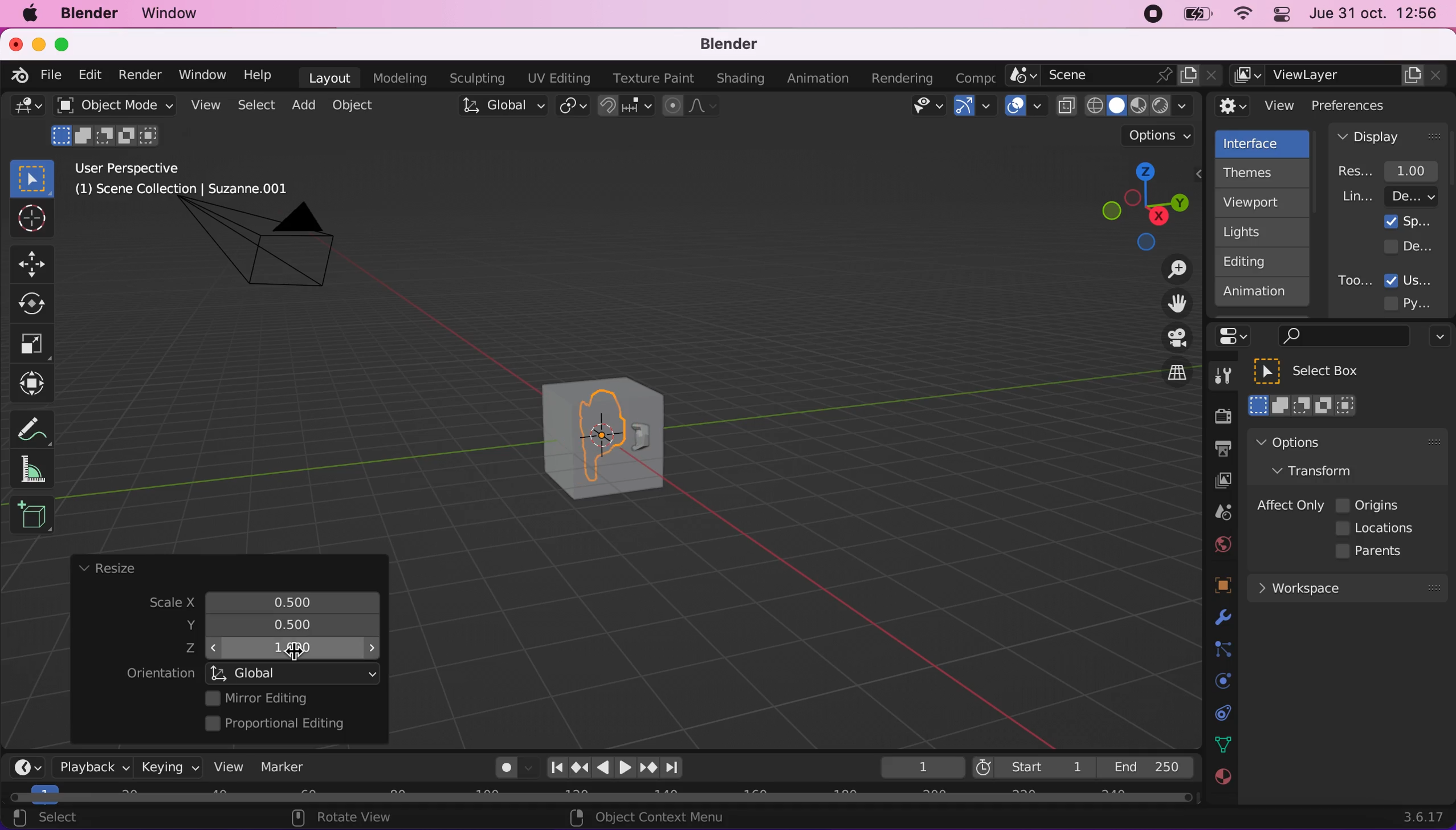 This screenshot has width=1456, height=830. I want to click on orientation, so click(160, 674).